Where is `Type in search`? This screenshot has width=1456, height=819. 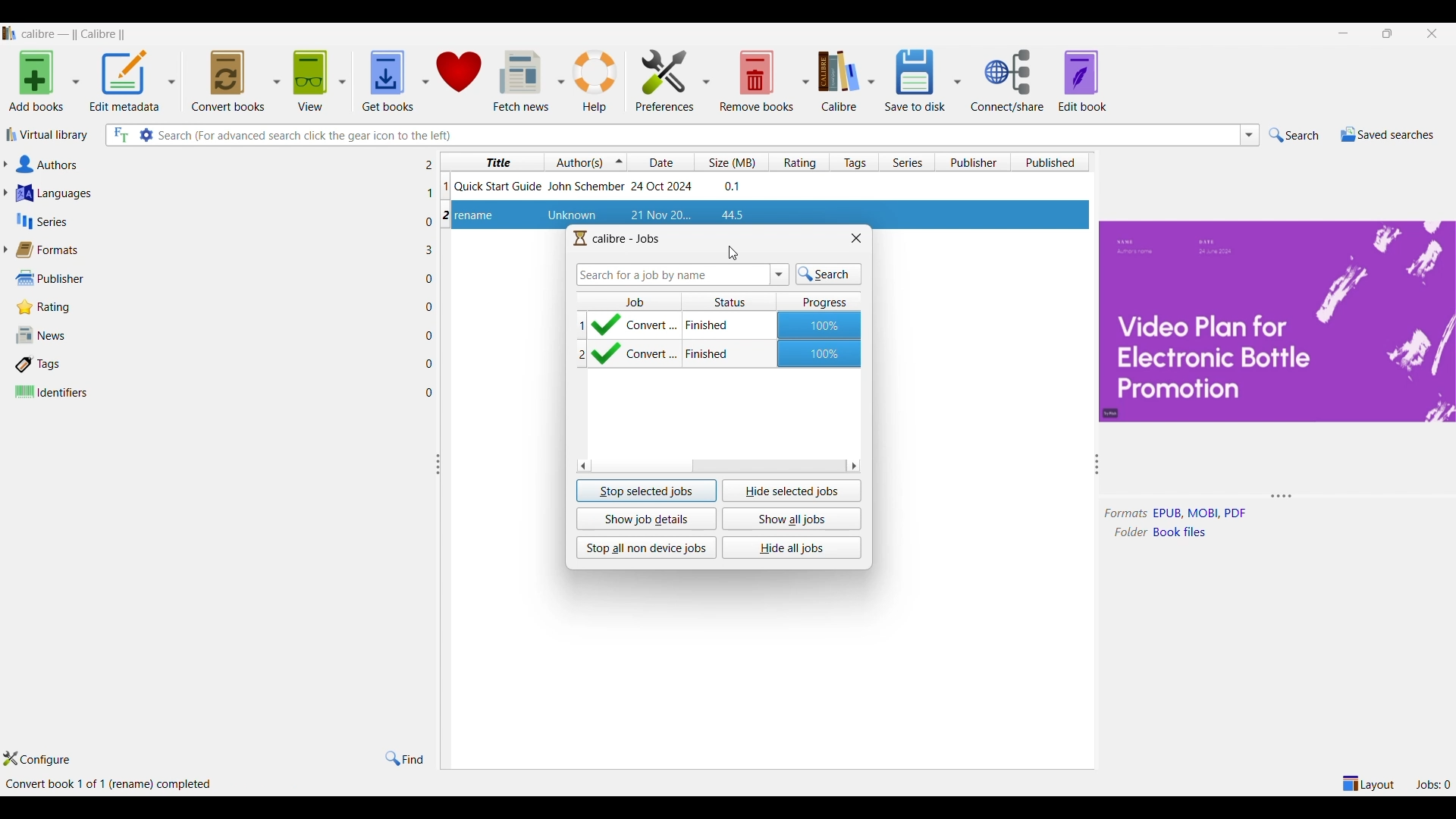 Type in search is located at coordinates (698, 136).